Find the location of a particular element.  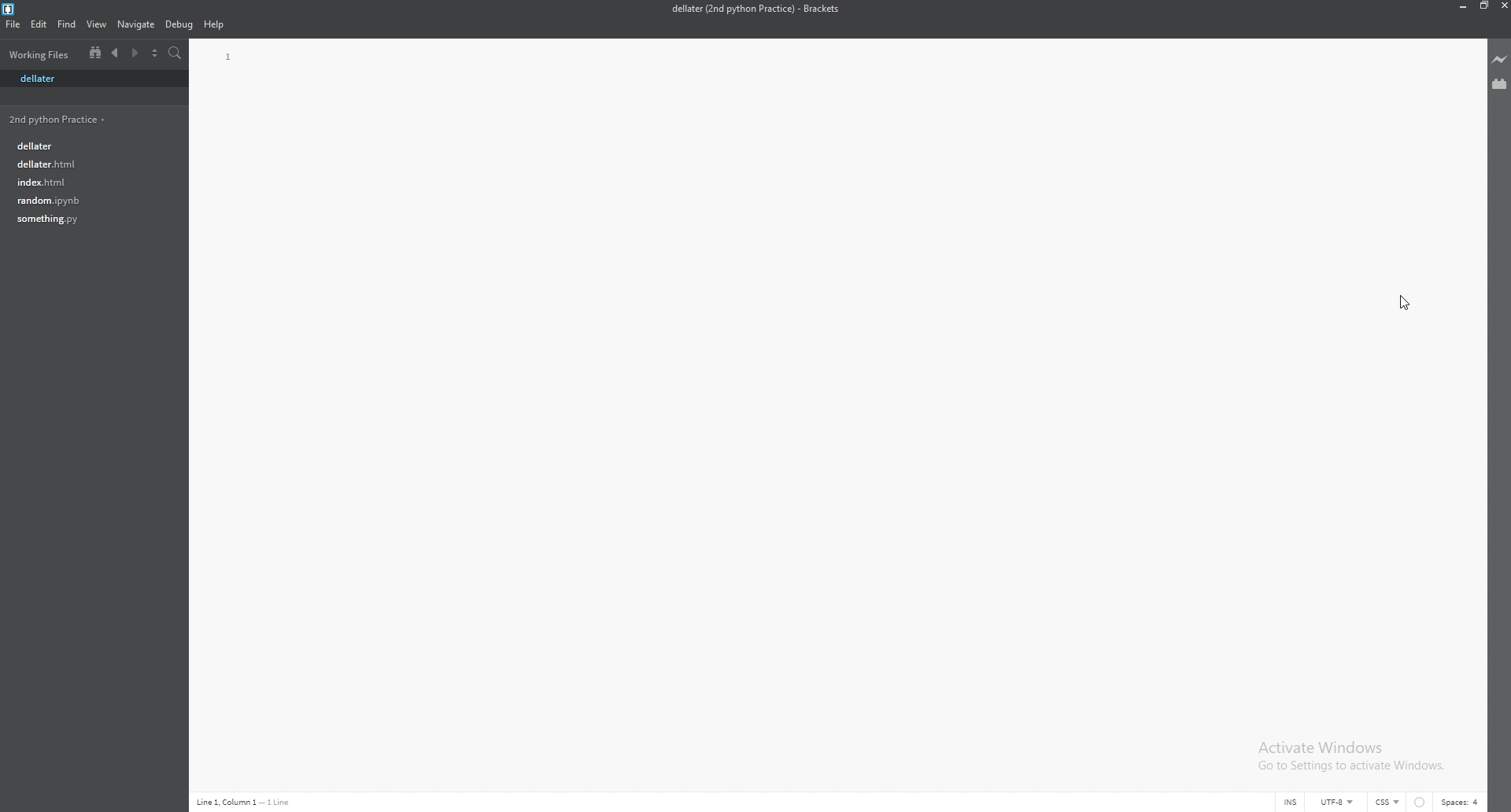

file is located at coordinates (86, 181).